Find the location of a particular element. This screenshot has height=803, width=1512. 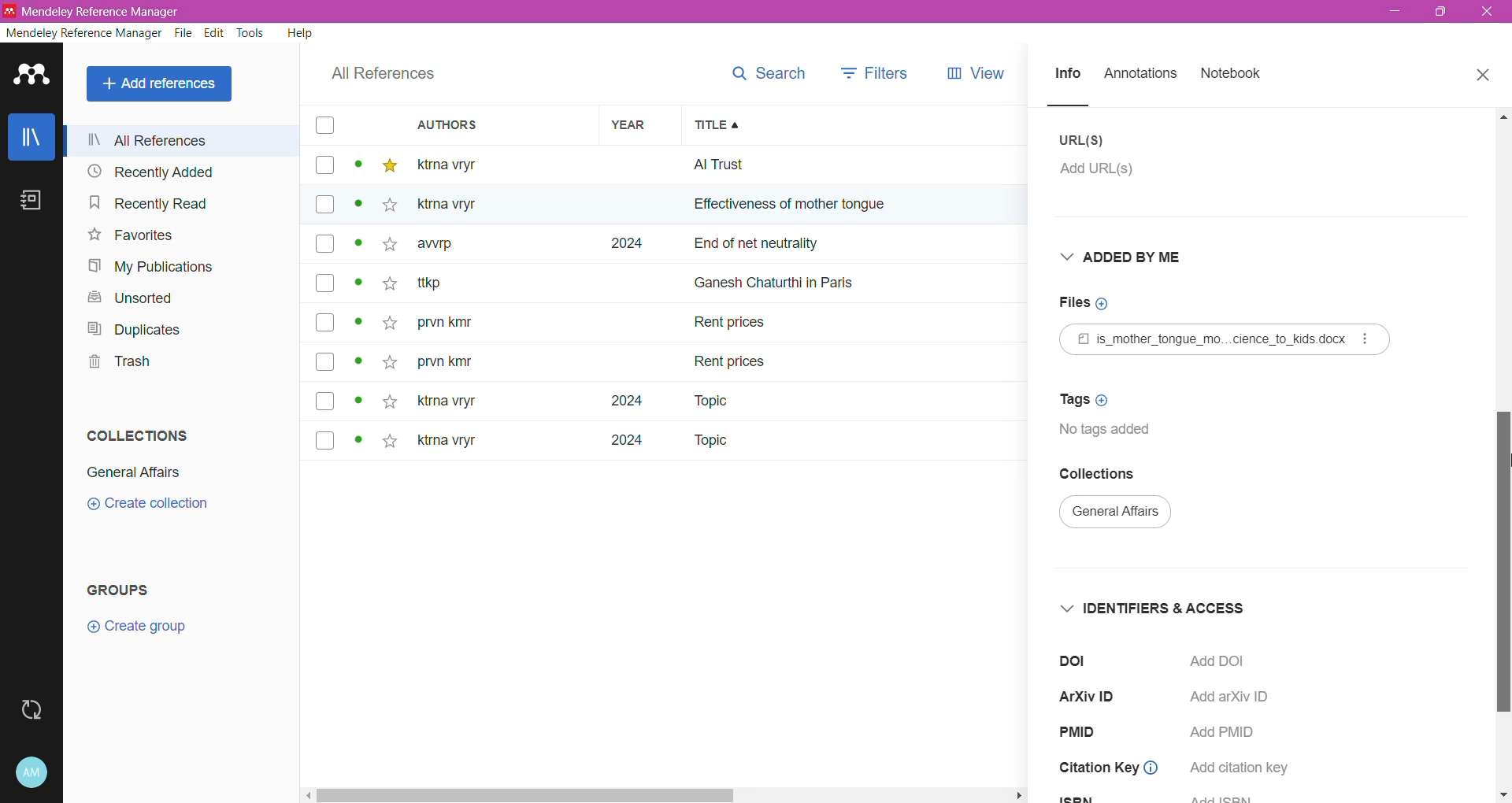

dot  is located at coordinates (354, 442).